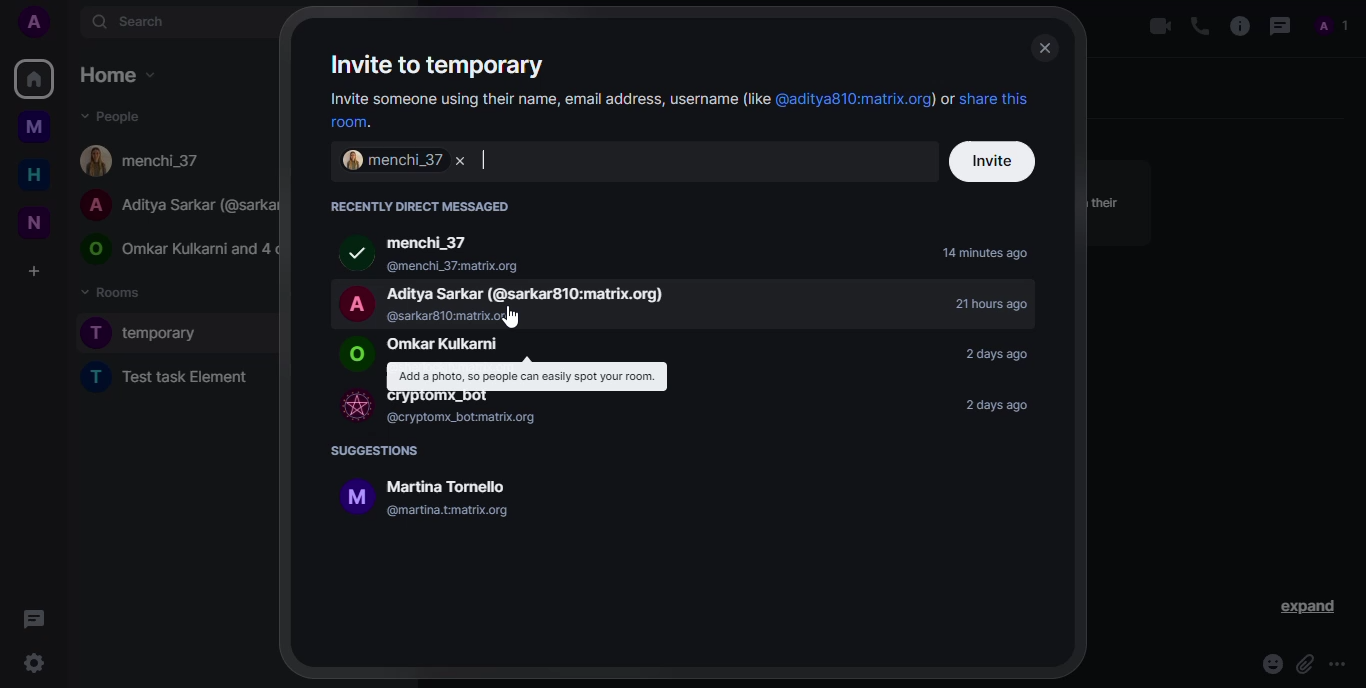  What do you see at coordinates (535, 293) in the screenshot?
I see `Aditya Sarkar (@sarkar810:matrix.org)` at bounding box center [535, 293].